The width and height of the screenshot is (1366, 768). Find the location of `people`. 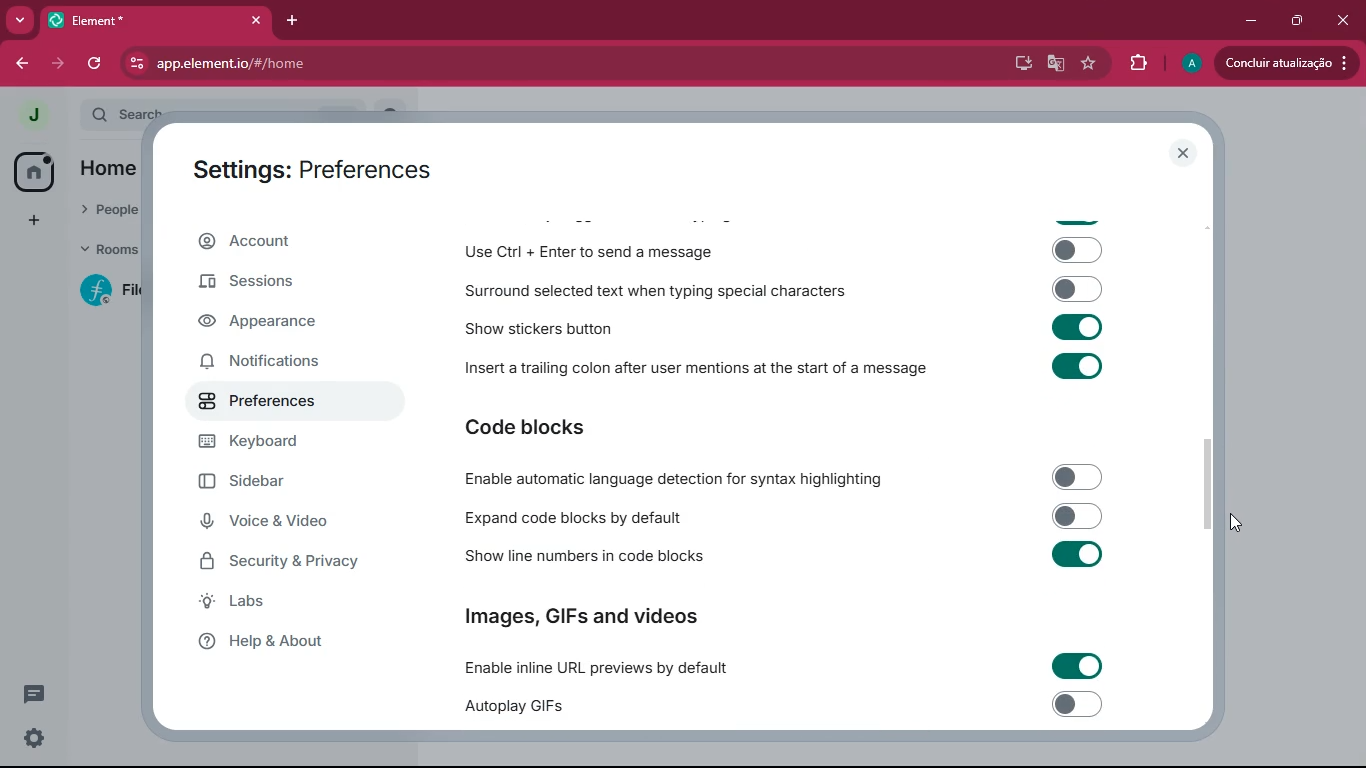

people is located at coordinates (105, 208).